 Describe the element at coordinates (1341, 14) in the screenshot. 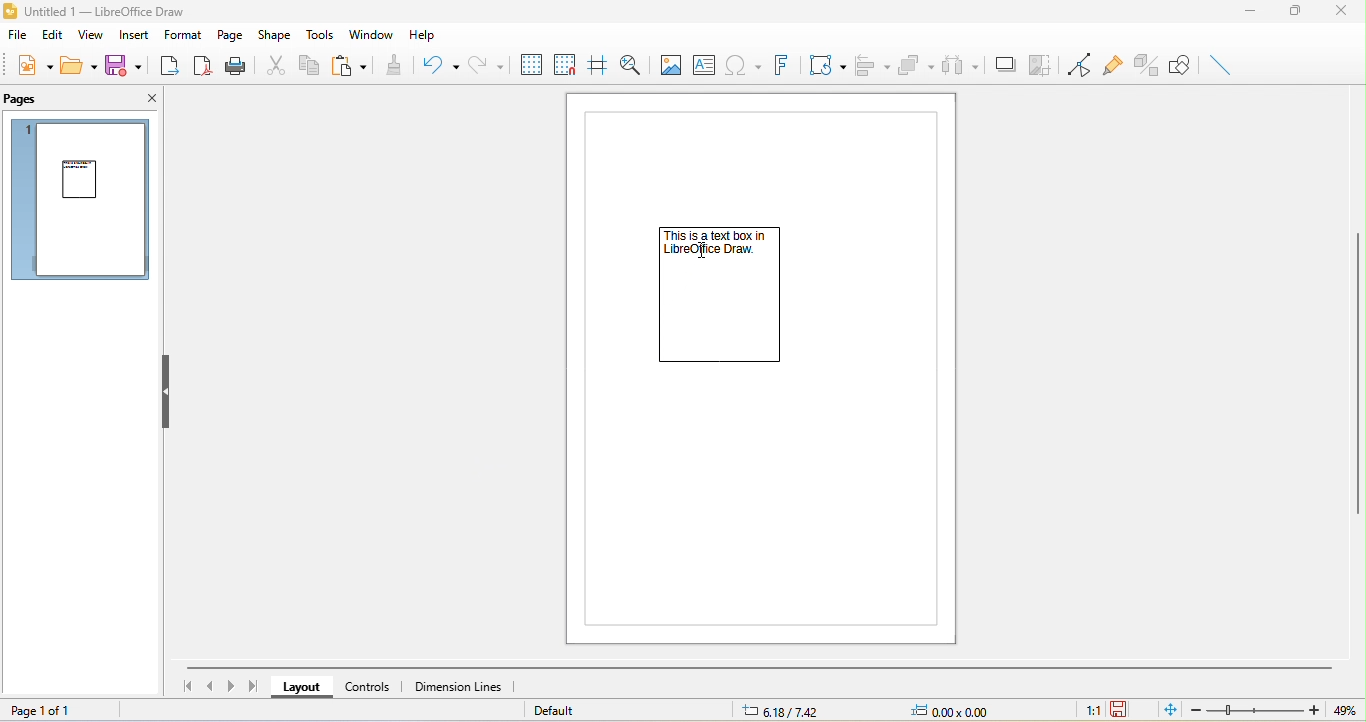

I see `close` at that location.